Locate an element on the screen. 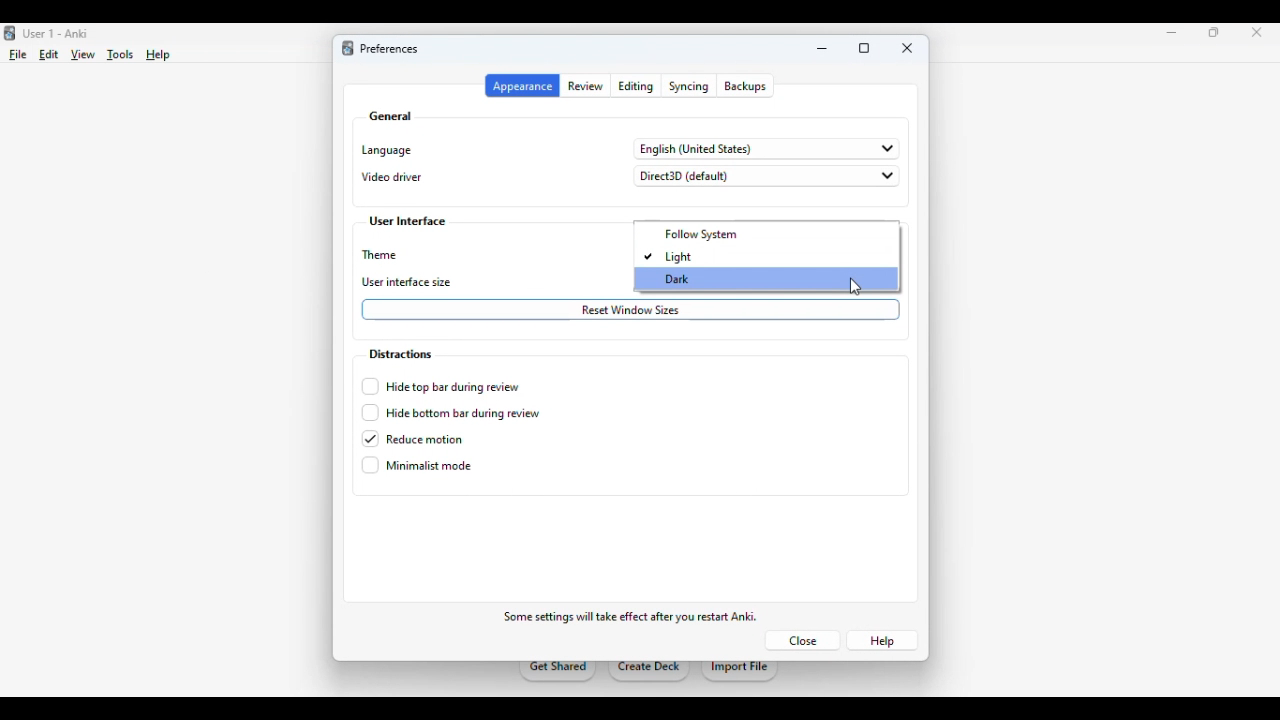 The width and height of the screenshot is (1280, 720). review is located at coordinates (586, 86).